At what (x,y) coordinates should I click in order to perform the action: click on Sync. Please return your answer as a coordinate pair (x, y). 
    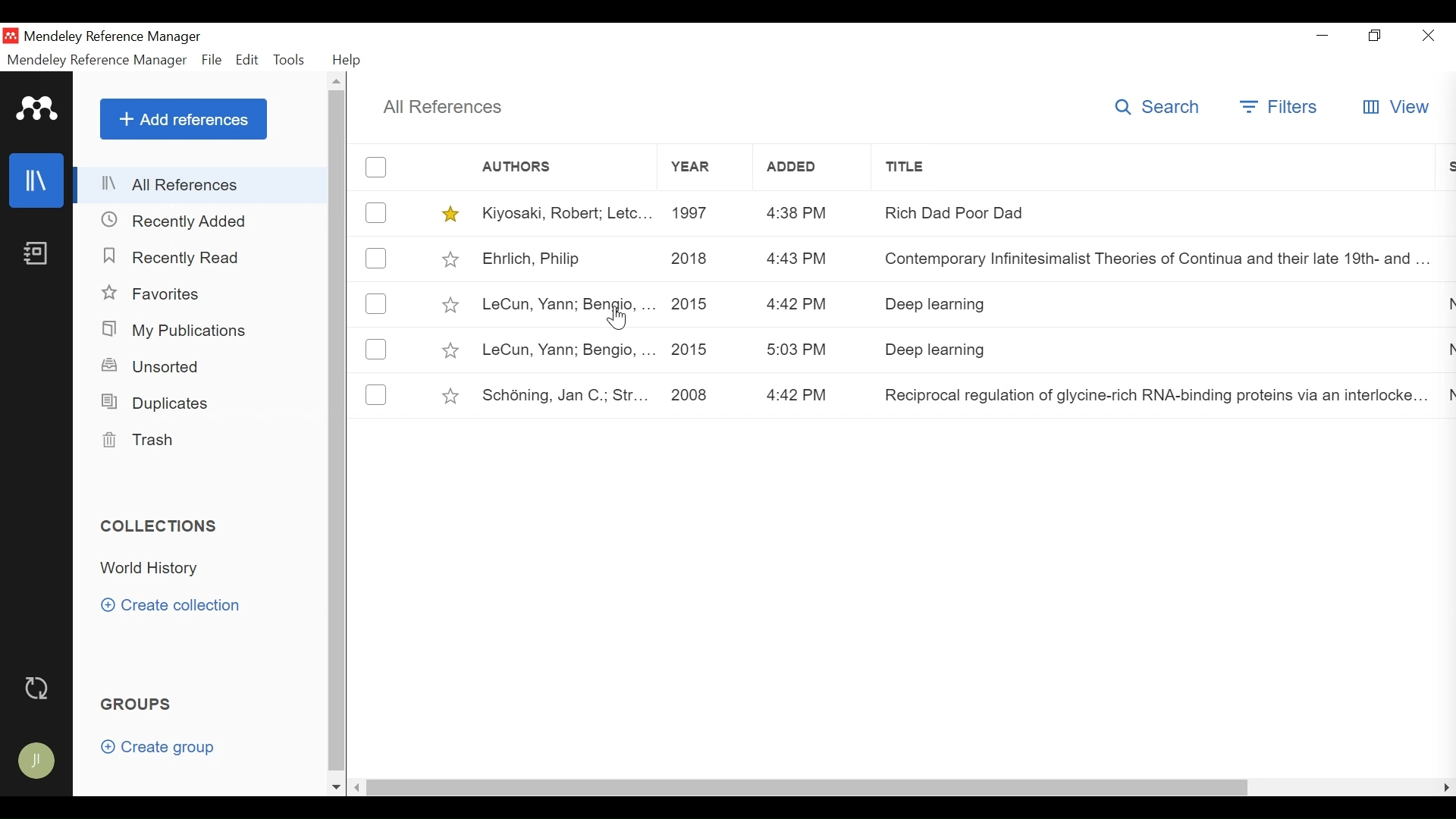
    Looking at the image, I should click on (40, 689).